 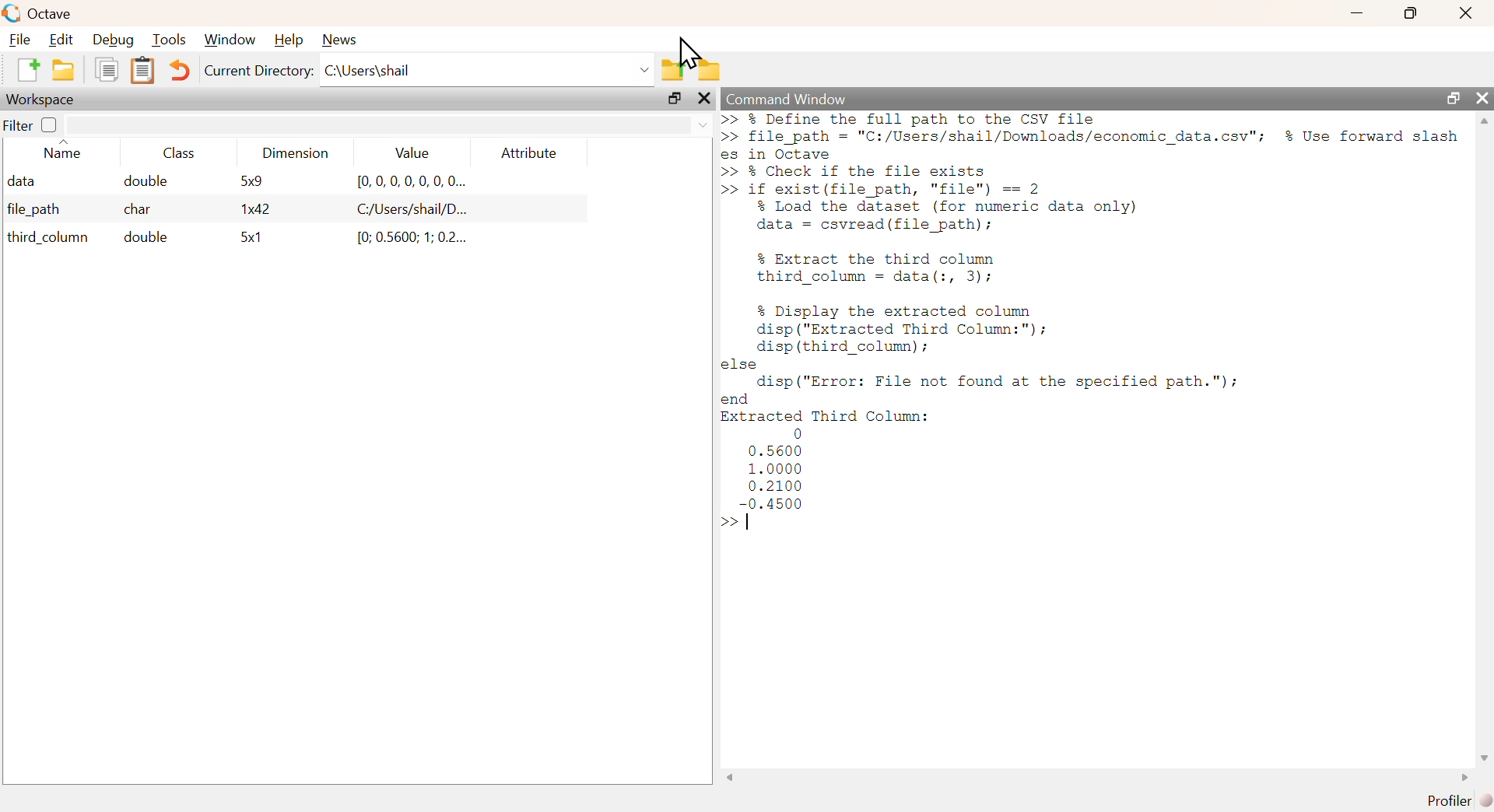 What do you see at coordinates (407, 184) in the screenshot?
I see `0,0,0,0,0,0,0..` at bounding box center [407, 184].